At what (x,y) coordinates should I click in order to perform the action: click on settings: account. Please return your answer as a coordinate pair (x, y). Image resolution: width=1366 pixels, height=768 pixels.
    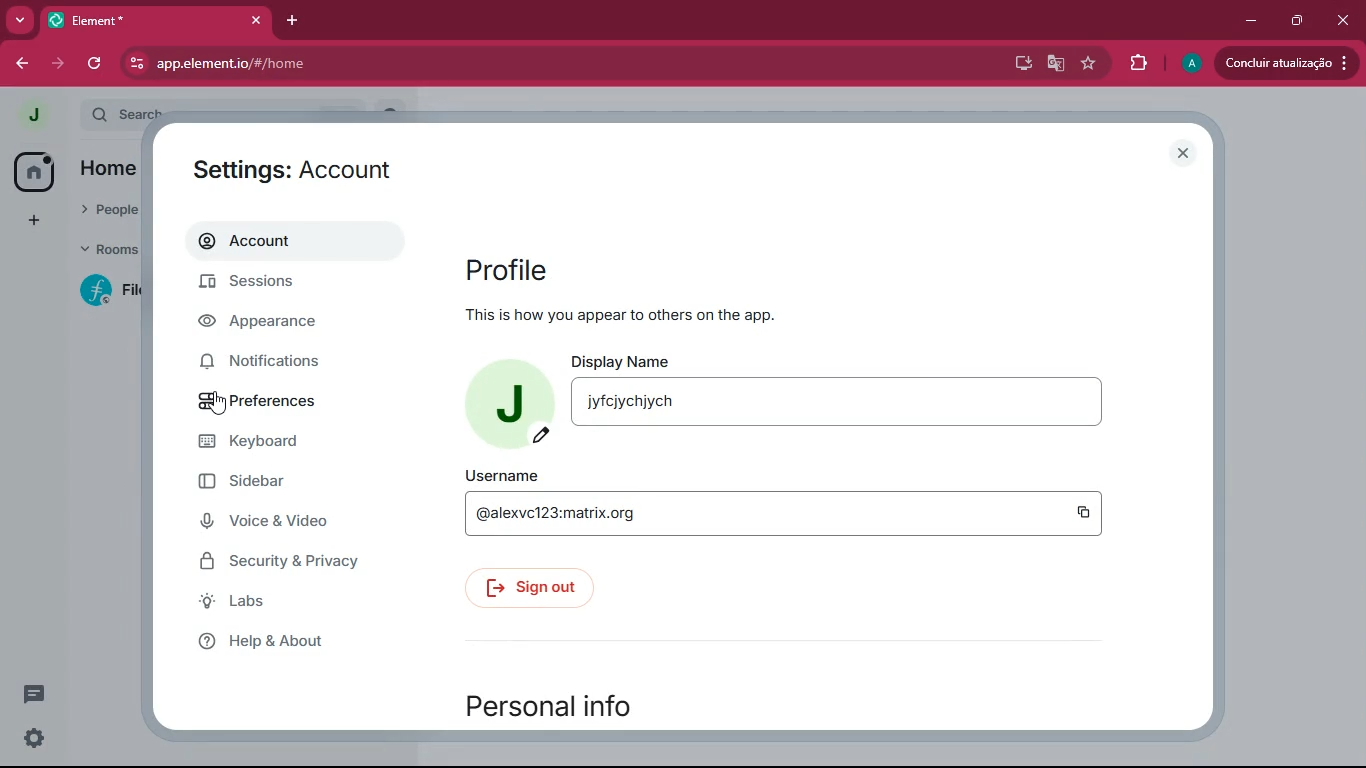
    Looking at the image, I should click on (304, 171).